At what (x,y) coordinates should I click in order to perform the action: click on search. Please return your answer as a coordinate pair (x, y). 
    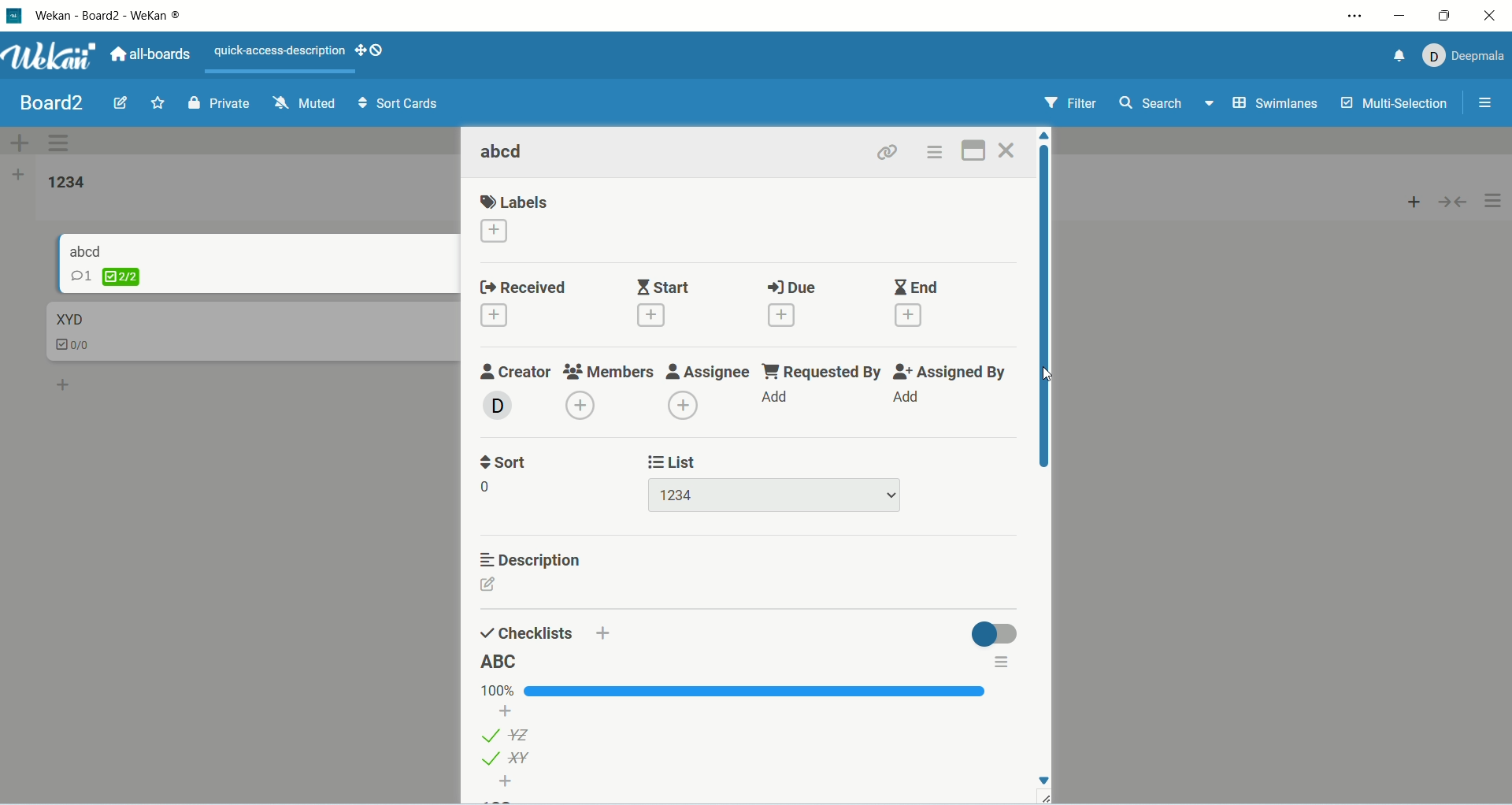
    Looking at the image, I should click on (1169, 105).